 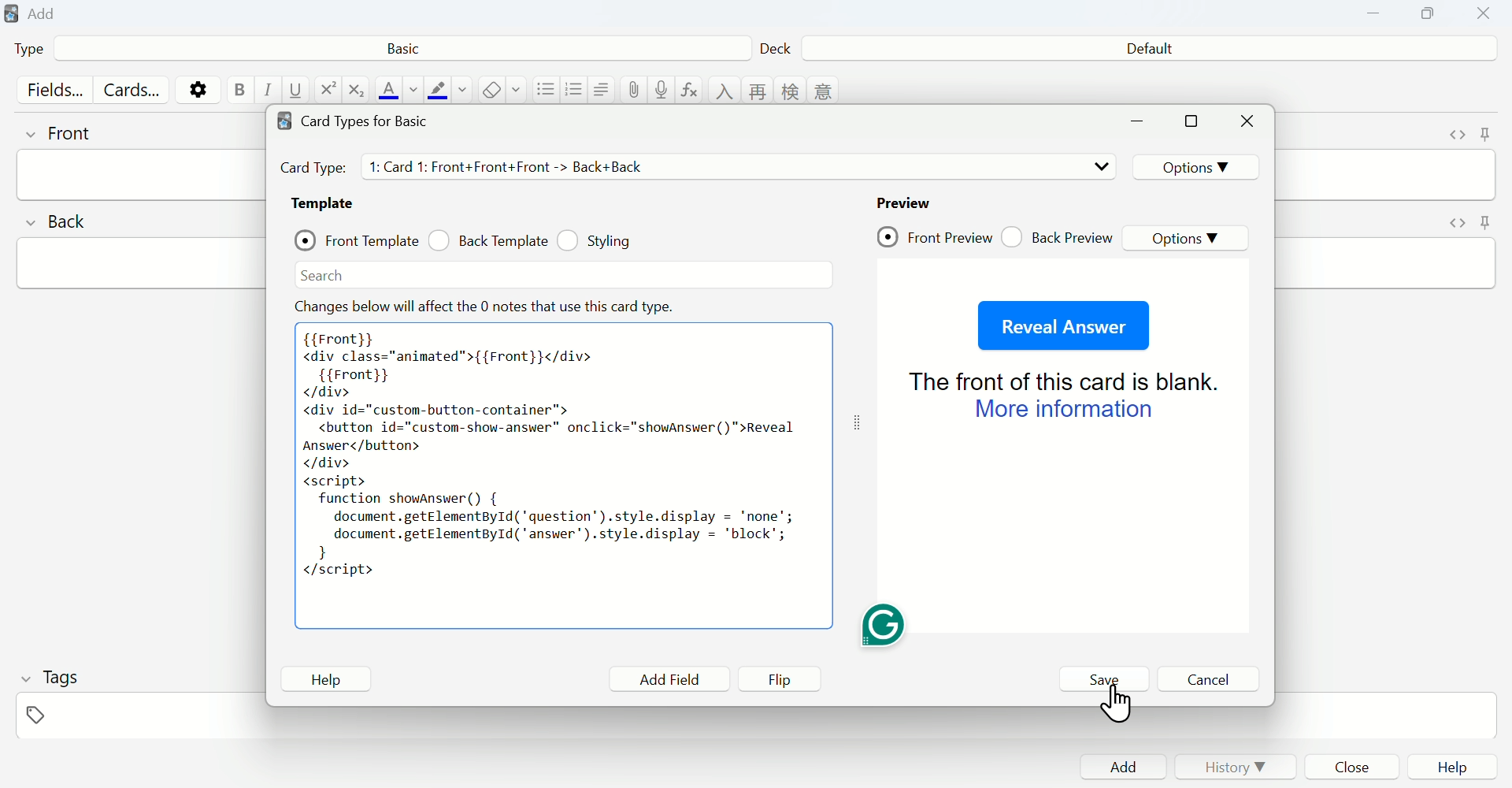 I want to click on front, so click(x=58, y=135).